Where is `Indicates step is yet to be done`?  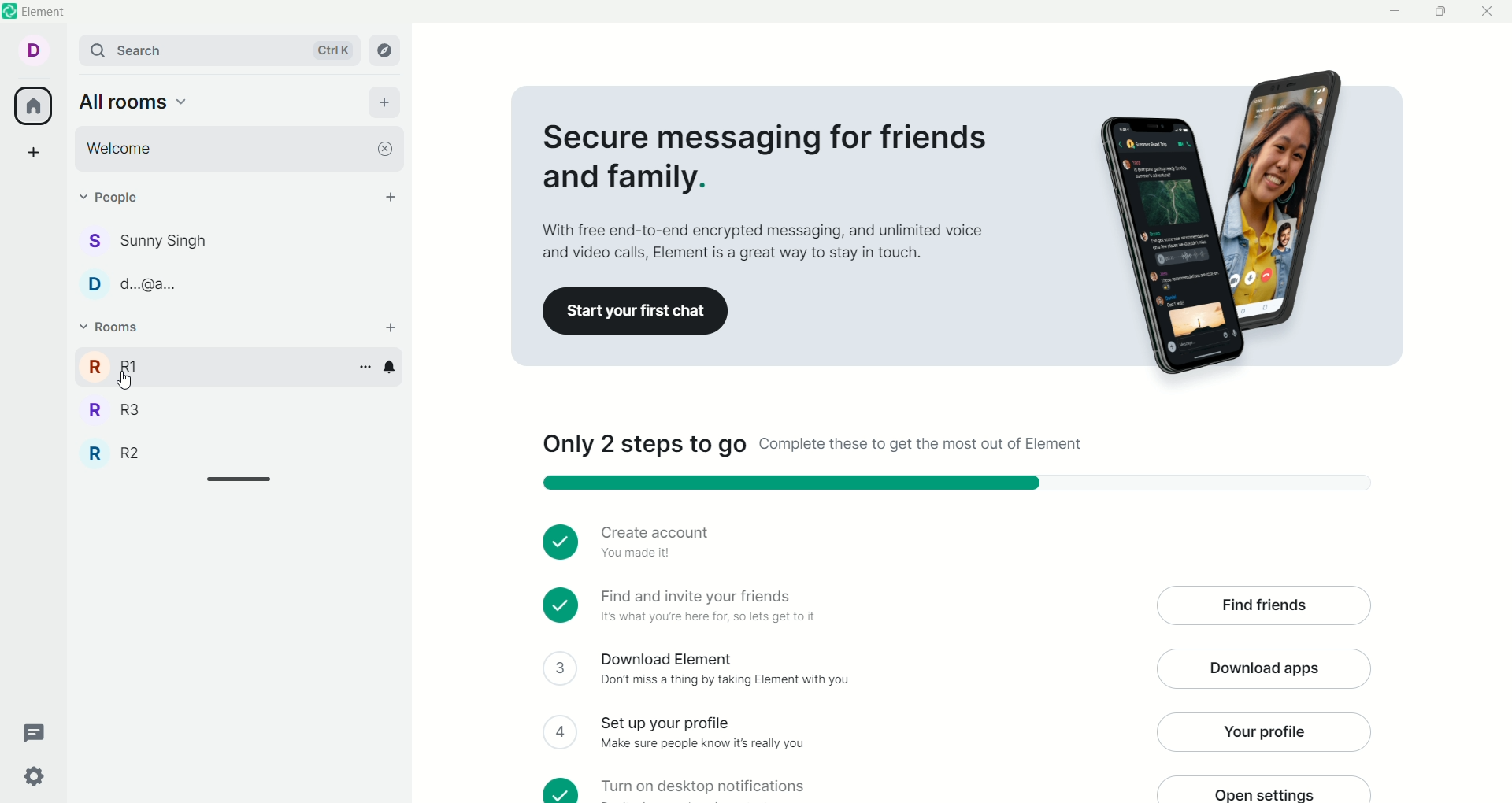
Indicates step is yet to be done is located at coordinates (561, 790).